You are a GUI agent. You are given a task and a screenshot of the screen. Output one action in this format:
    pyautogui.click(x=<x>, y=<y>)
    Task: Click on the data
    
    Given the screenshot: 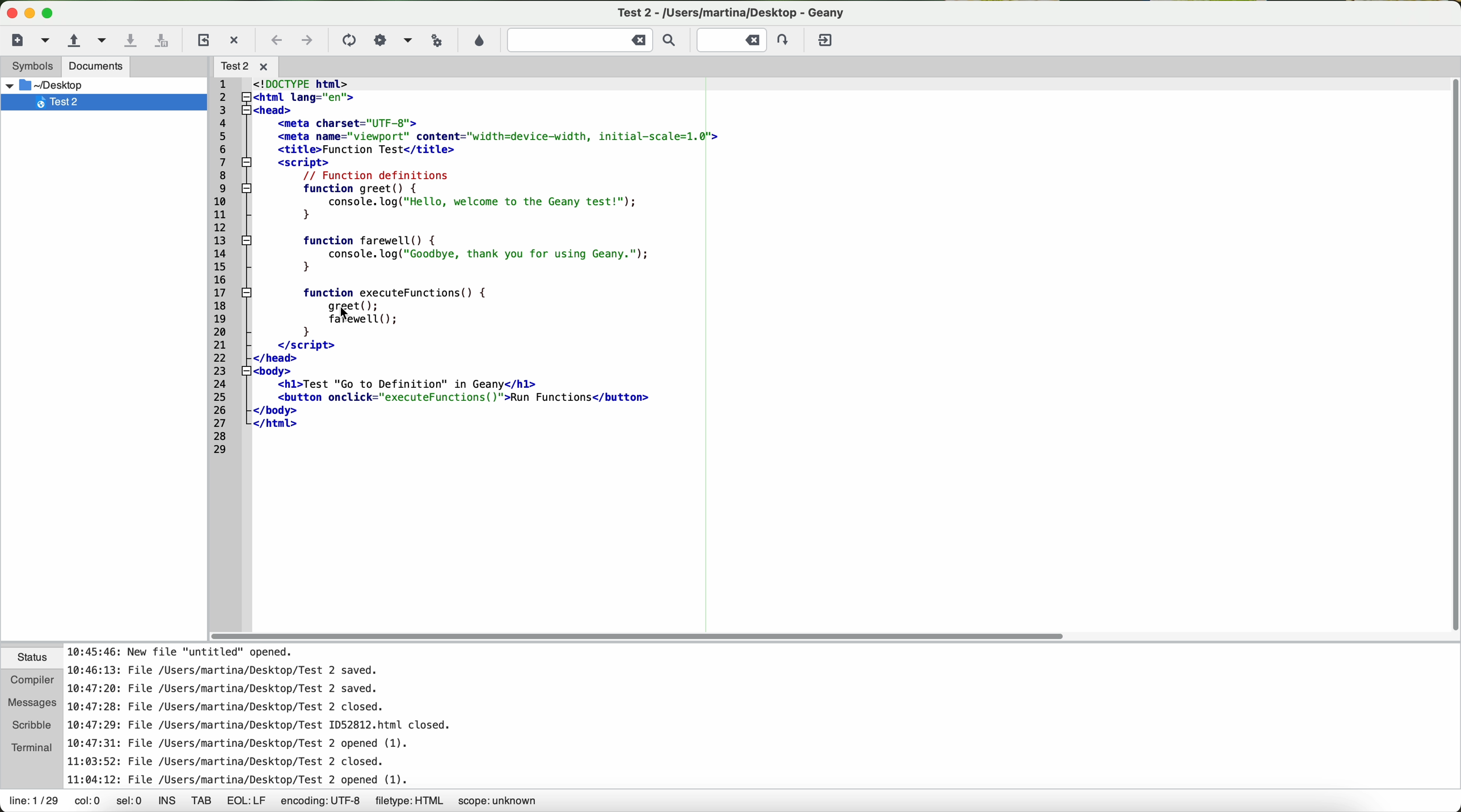 What is the action you would take?
    pyautogui.click(x=275, y=802)
    